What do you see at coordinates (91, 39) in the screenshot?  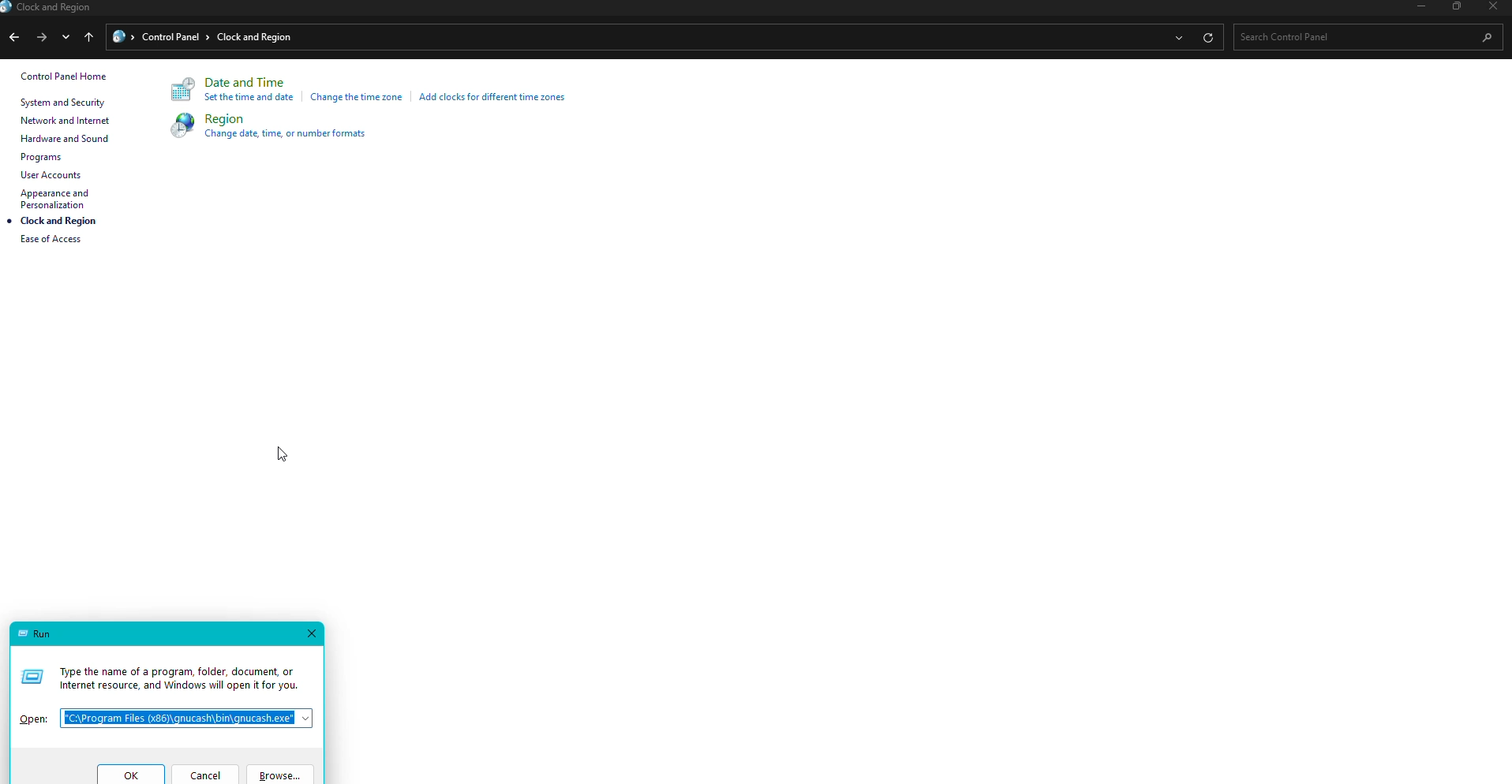 I see `up` at bounding box center [91, 39].